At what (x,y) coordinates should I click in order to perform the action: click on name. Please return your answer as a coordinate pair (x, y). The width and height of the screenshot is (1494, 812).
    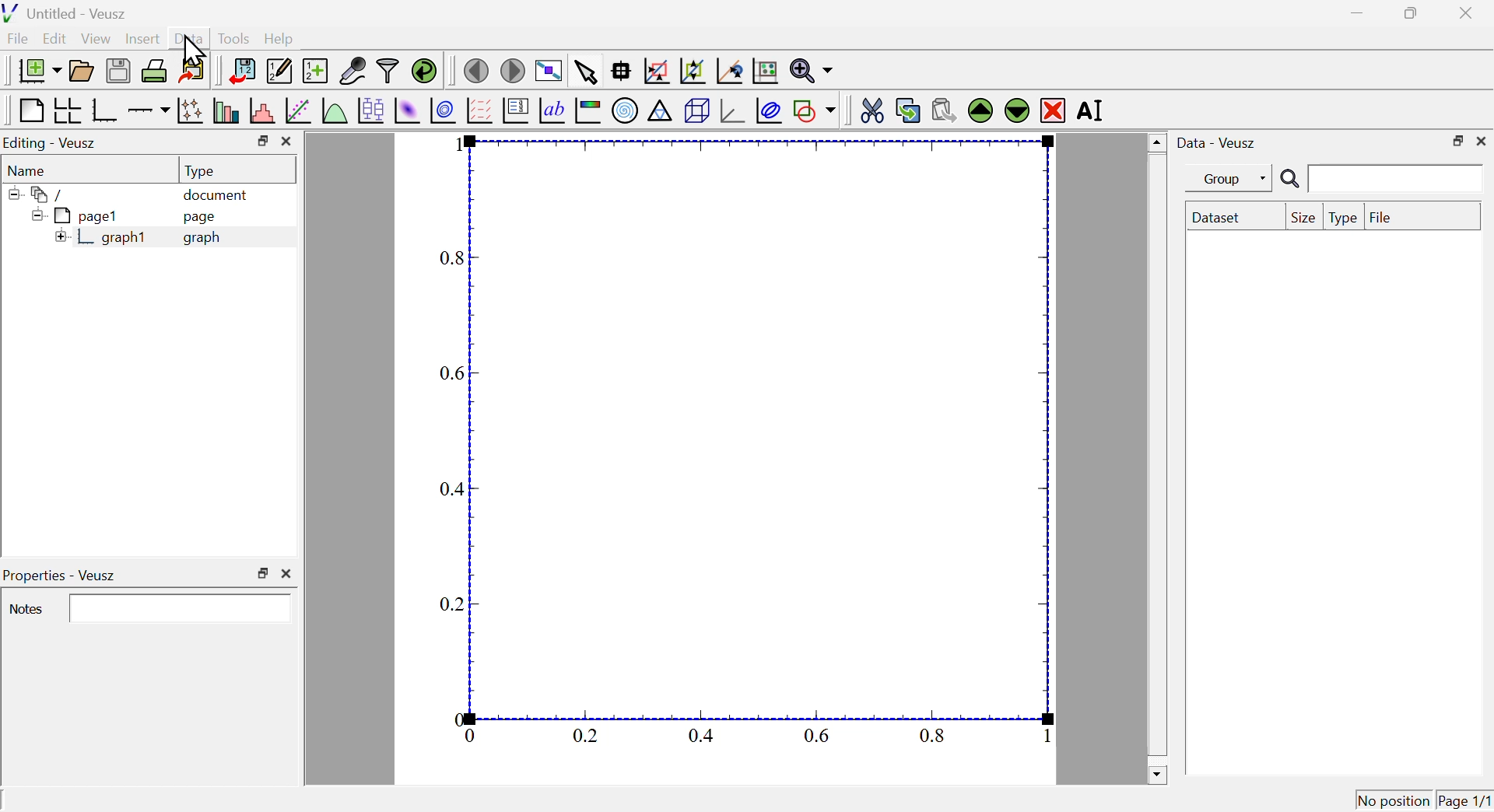
    Looking at the image, I should click on (30, 170).